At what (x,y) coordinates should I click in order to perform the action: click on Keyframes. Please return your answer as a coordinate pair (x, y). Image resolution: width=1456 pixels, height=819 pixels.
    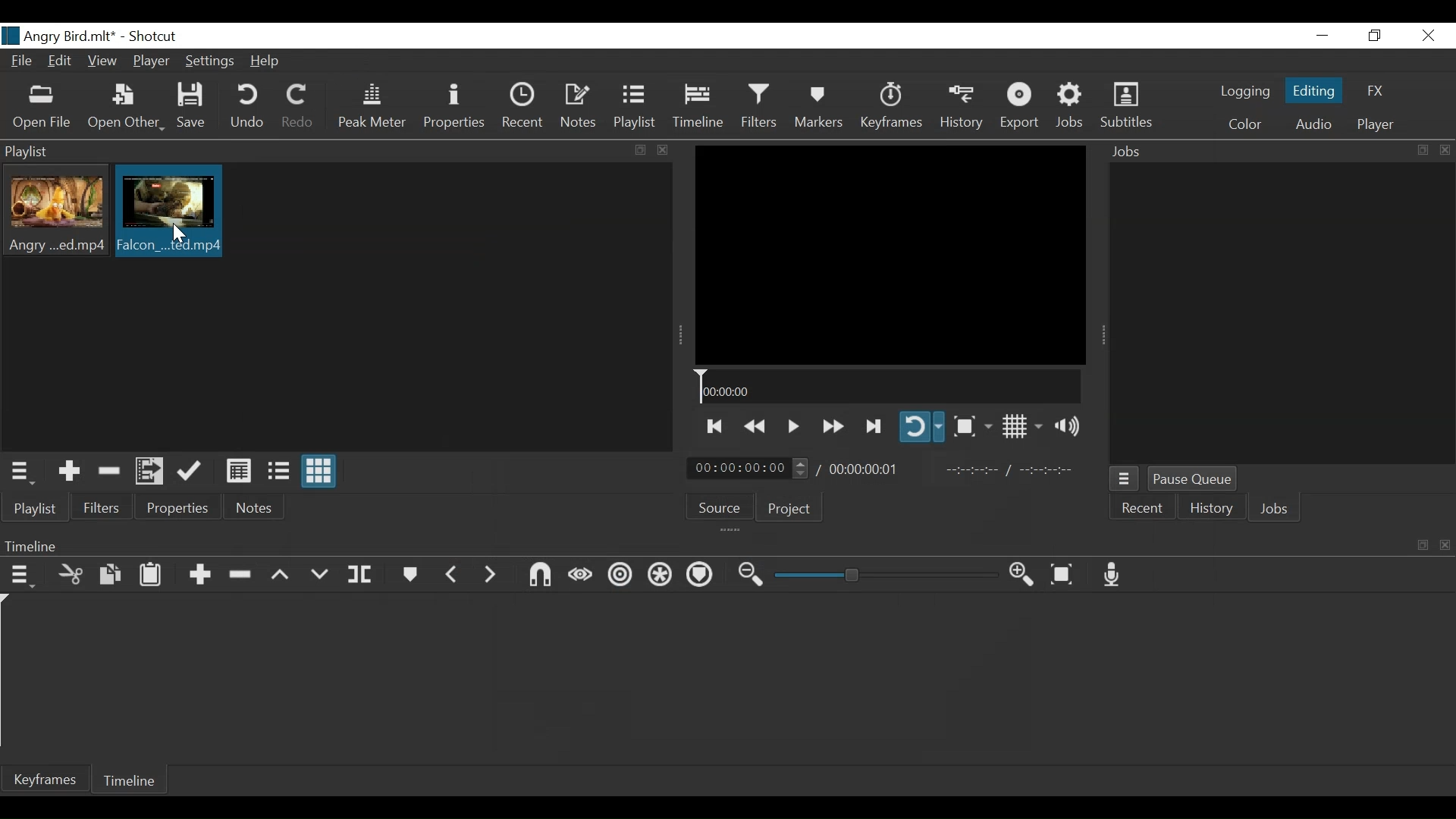
    Looking at the image, I should click on (890, 106).